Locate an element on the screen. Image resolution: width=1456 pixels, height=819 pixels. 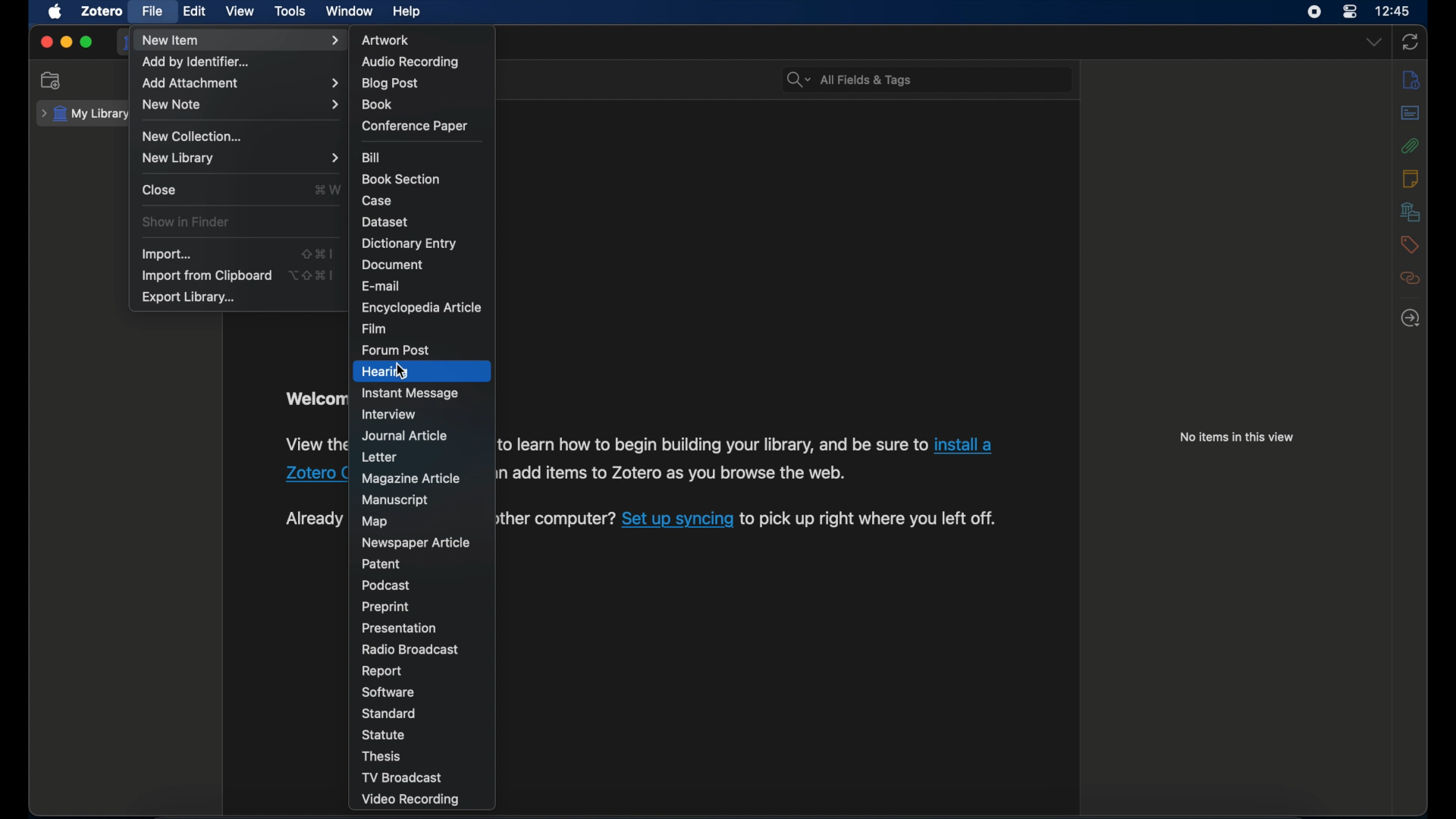
standard is located at coordinates (390, 714).